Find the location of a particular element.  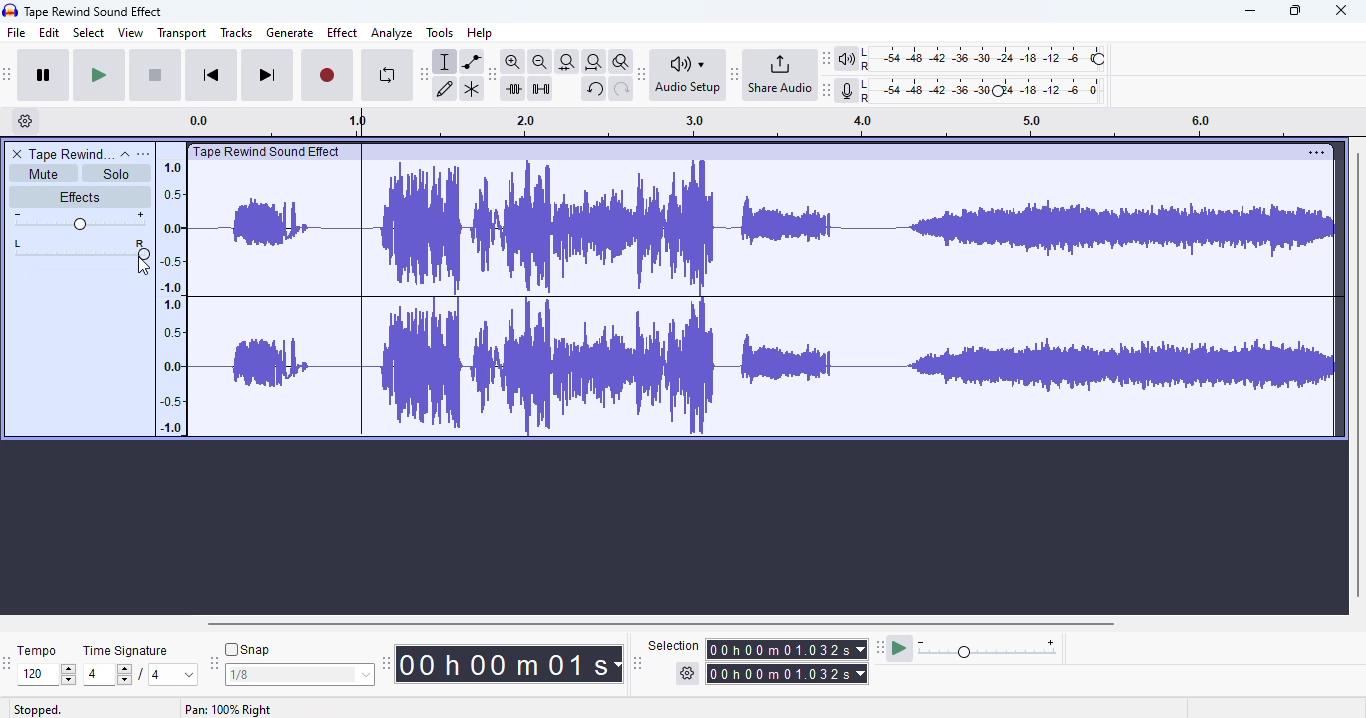

selection tool is located at coordinates (445, 62).